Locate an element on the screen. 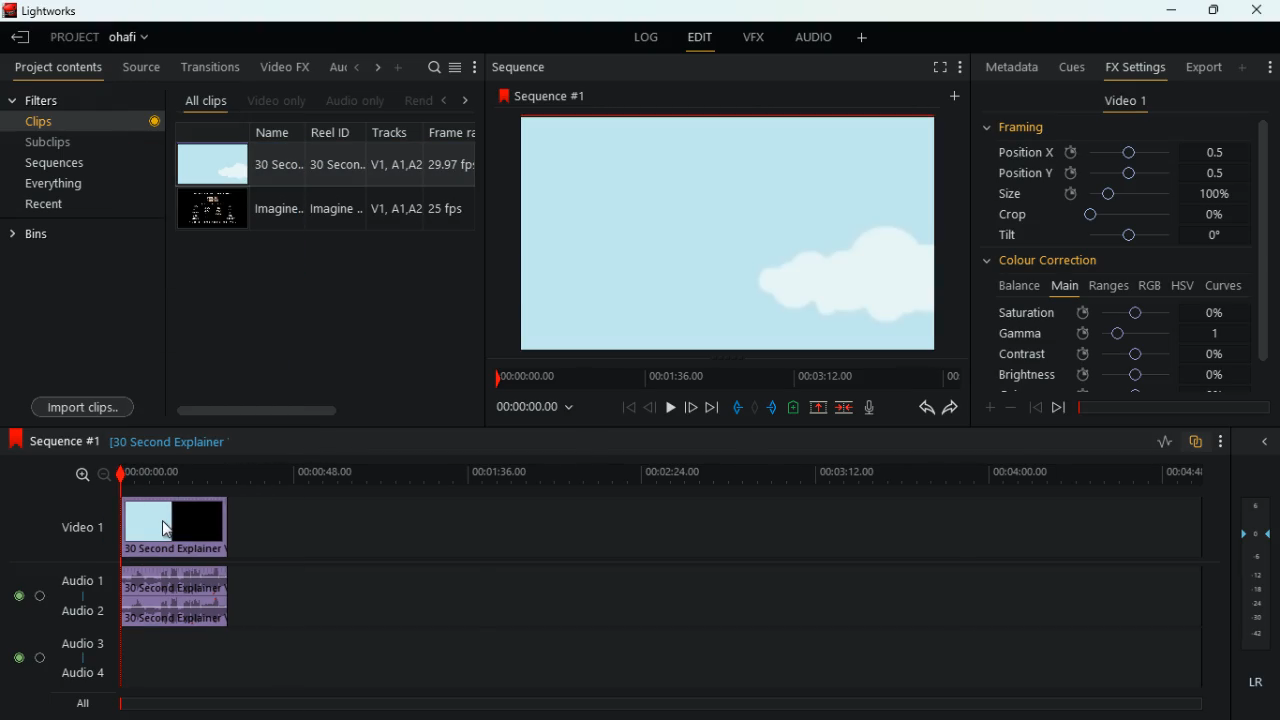  rate is located at coordinates (1159, 442).